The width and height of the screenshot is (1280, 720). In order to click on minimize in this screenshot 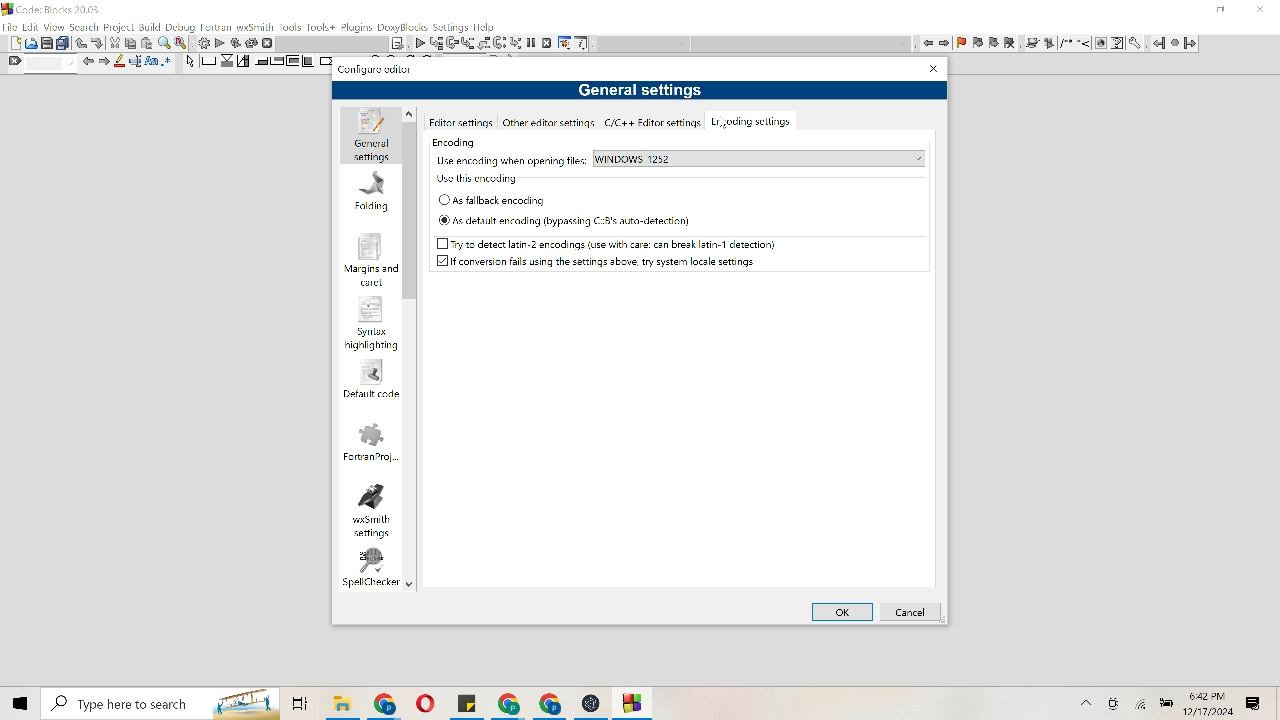, I will do `click(1222, 10)`.